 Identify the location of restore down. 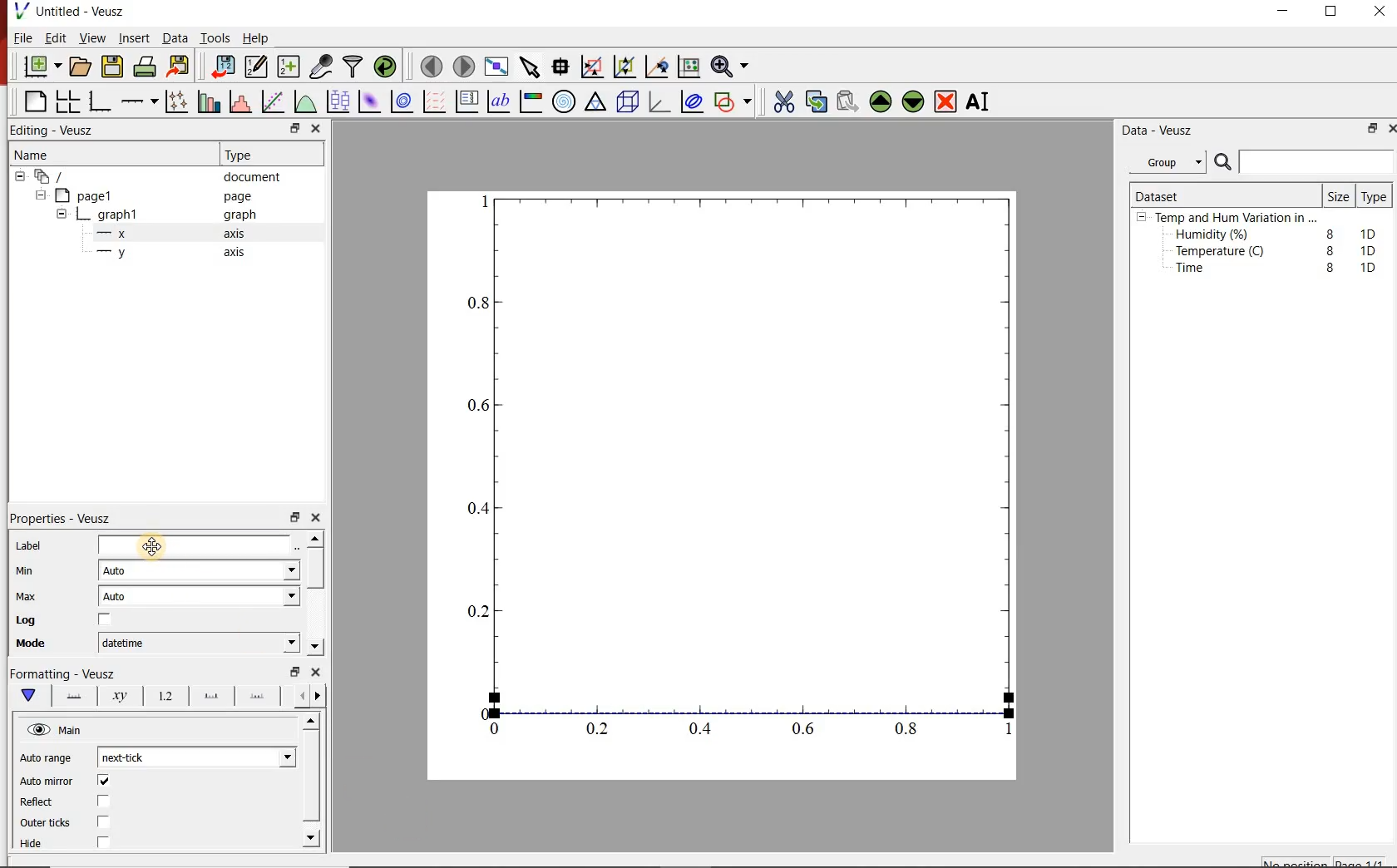
(292, 672).